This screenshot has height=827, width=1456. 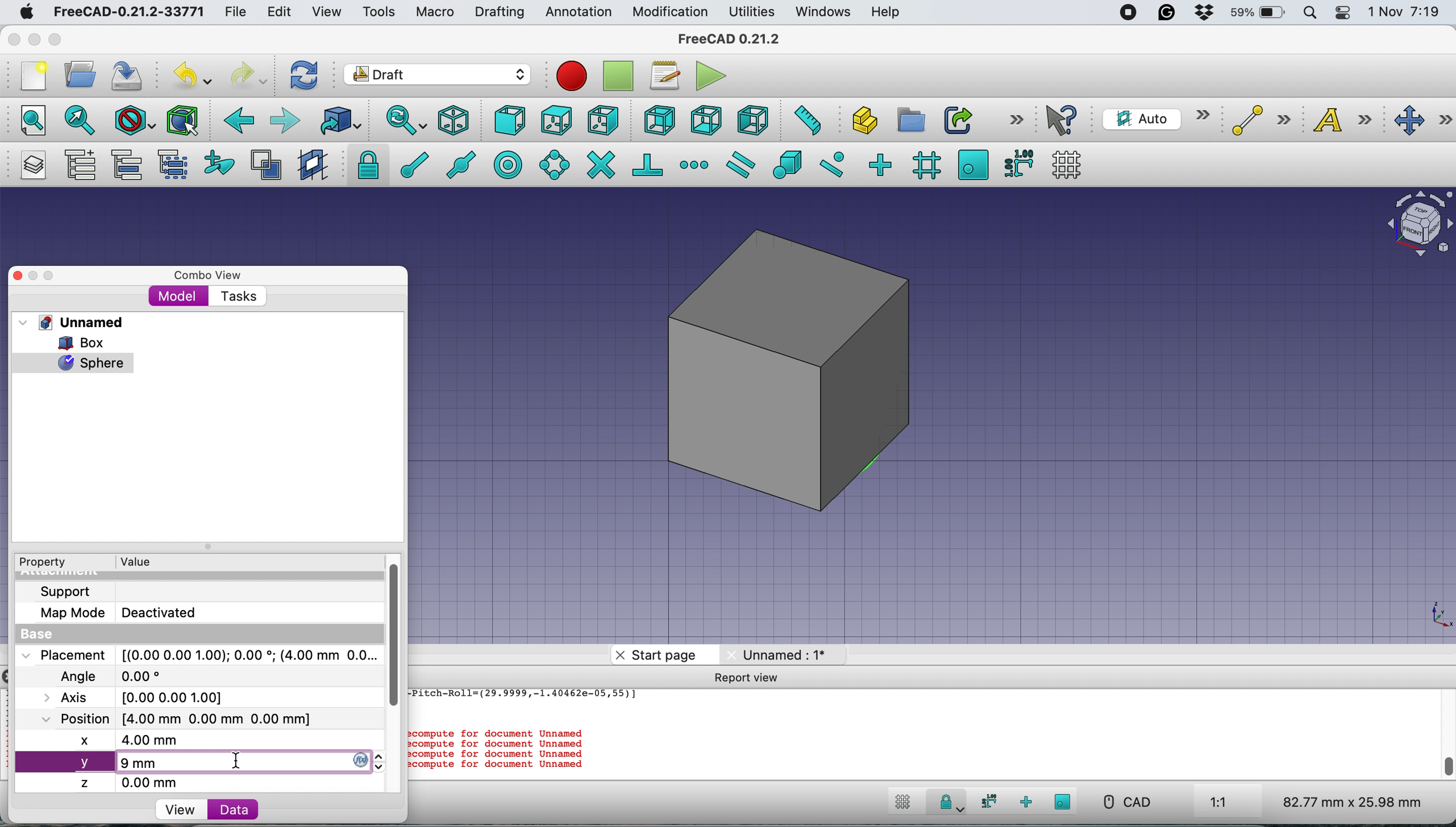 I want to click on scroll bar, so click(x=1446, y=736).